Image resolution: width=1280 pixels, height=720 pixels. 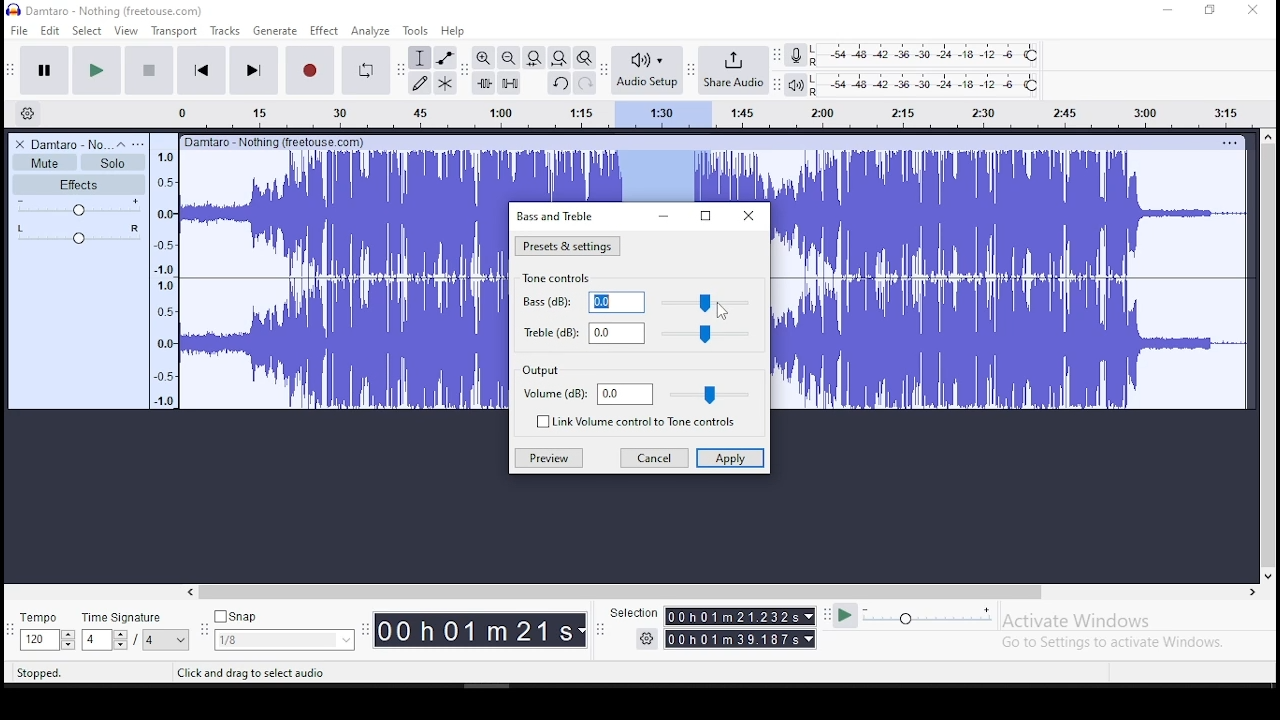 I want to click on , so click(x=601, y=630).